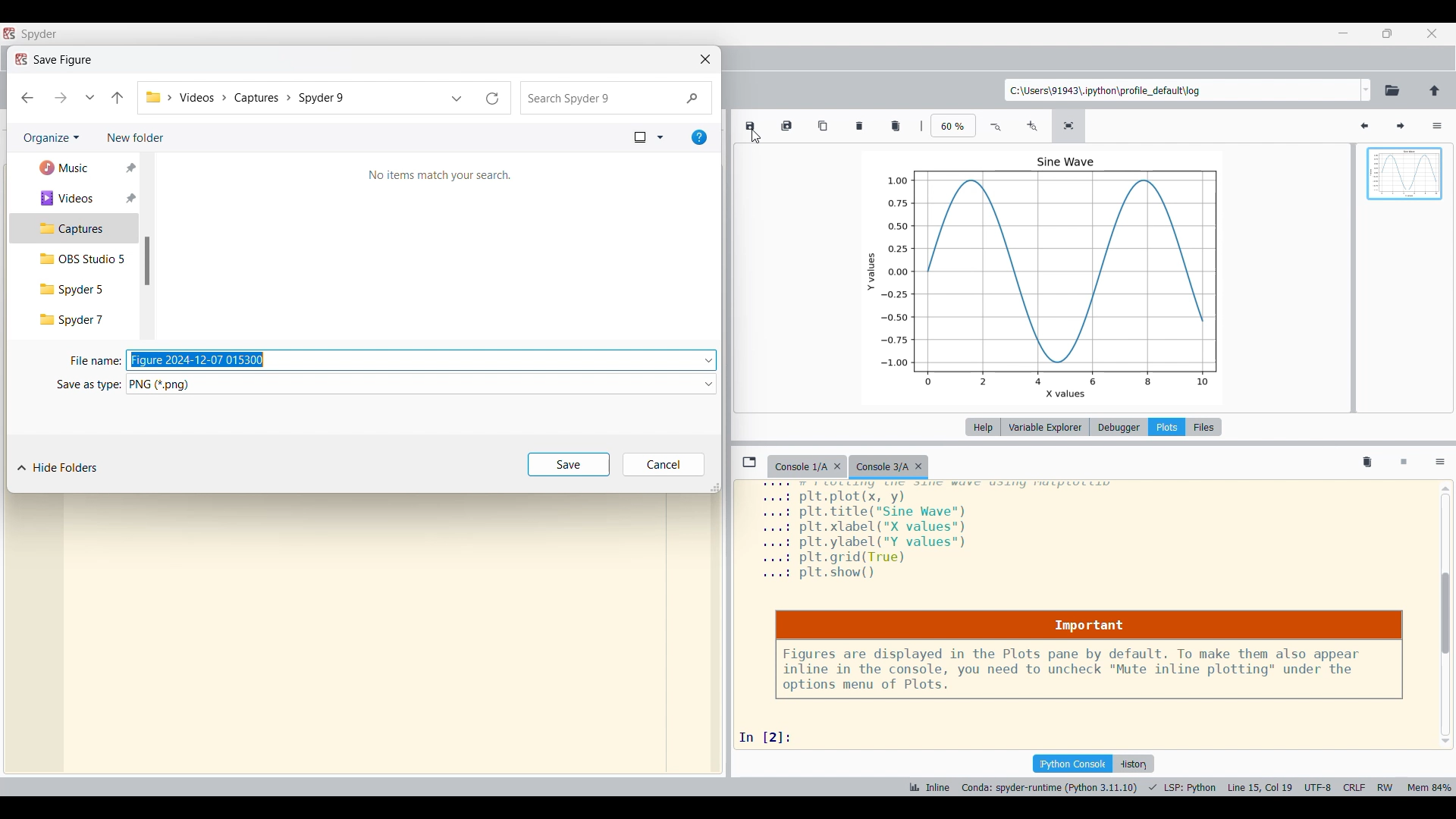  What do you see at coordinates (1031, 127) in the screenshot?
I see `Zoom in` at bounding box center [1031, 127].